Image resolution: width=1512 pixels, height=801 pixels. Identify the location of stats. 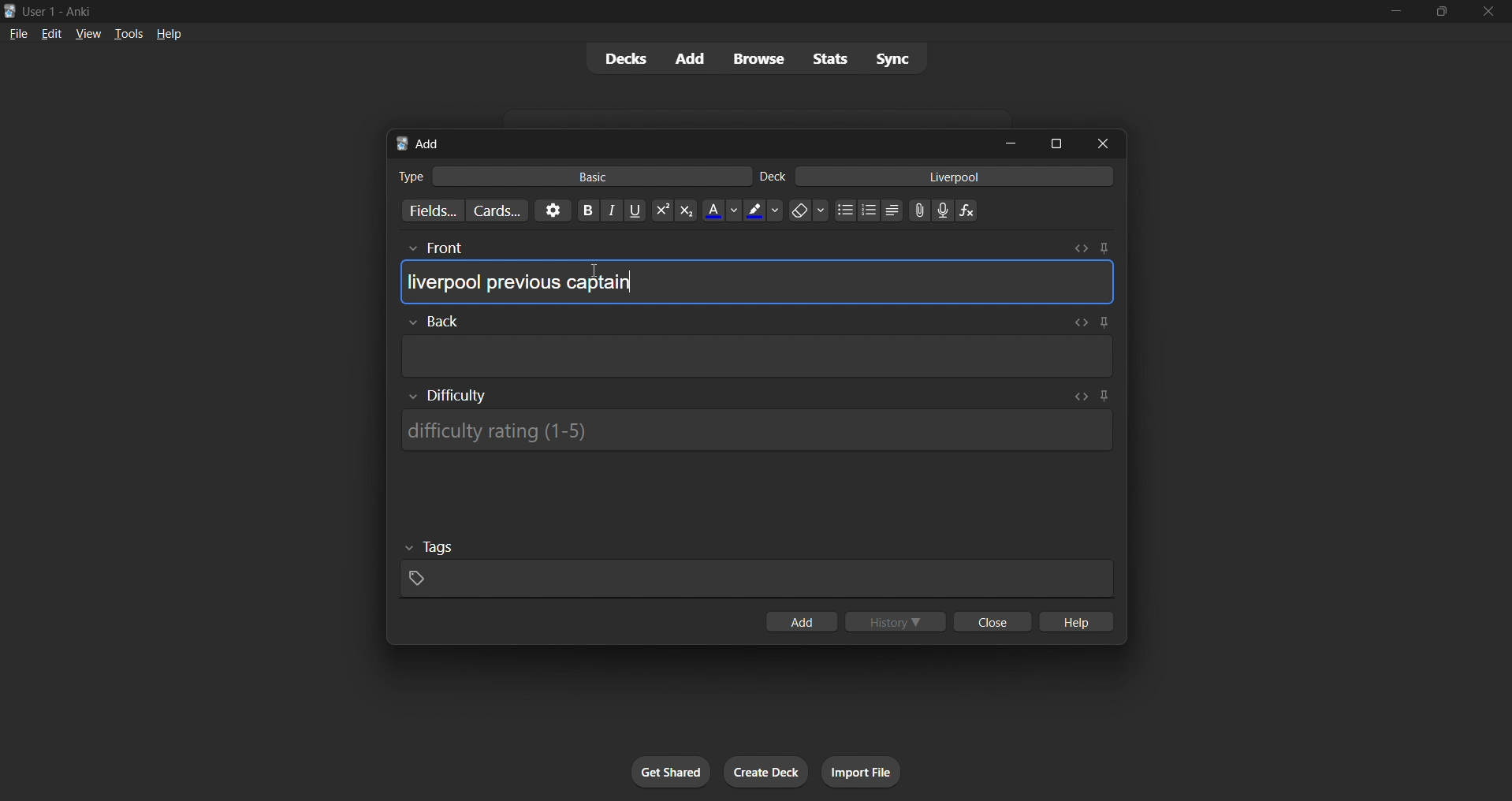
(833, 58).